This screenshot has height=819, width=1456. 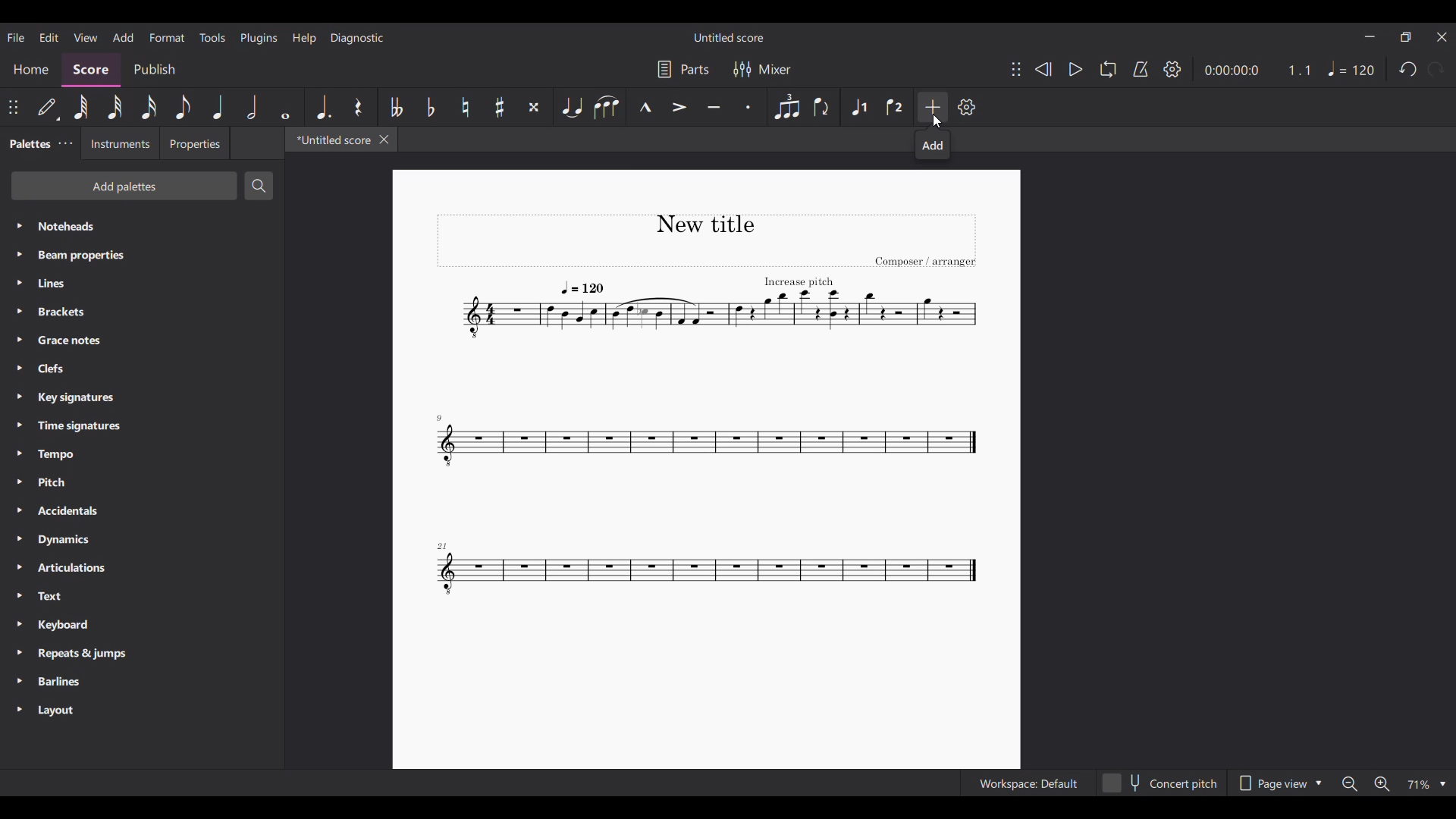 What do you see at coordinates (430, 106) in the screenshot?
I see `Toggle flat` at bounding box center [430, 106].